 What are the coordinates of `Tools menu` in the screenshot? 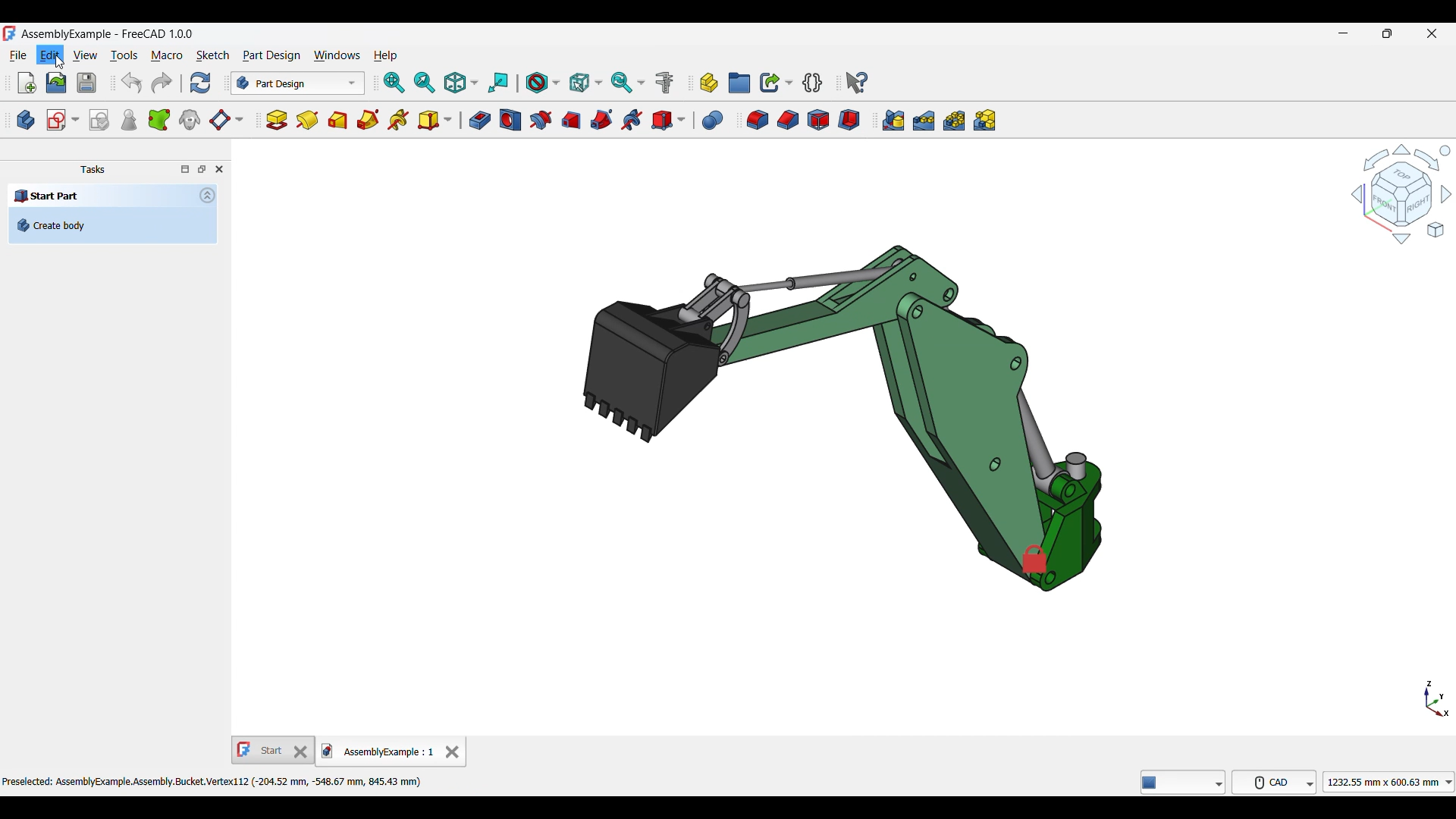 It's located at (124, 55).